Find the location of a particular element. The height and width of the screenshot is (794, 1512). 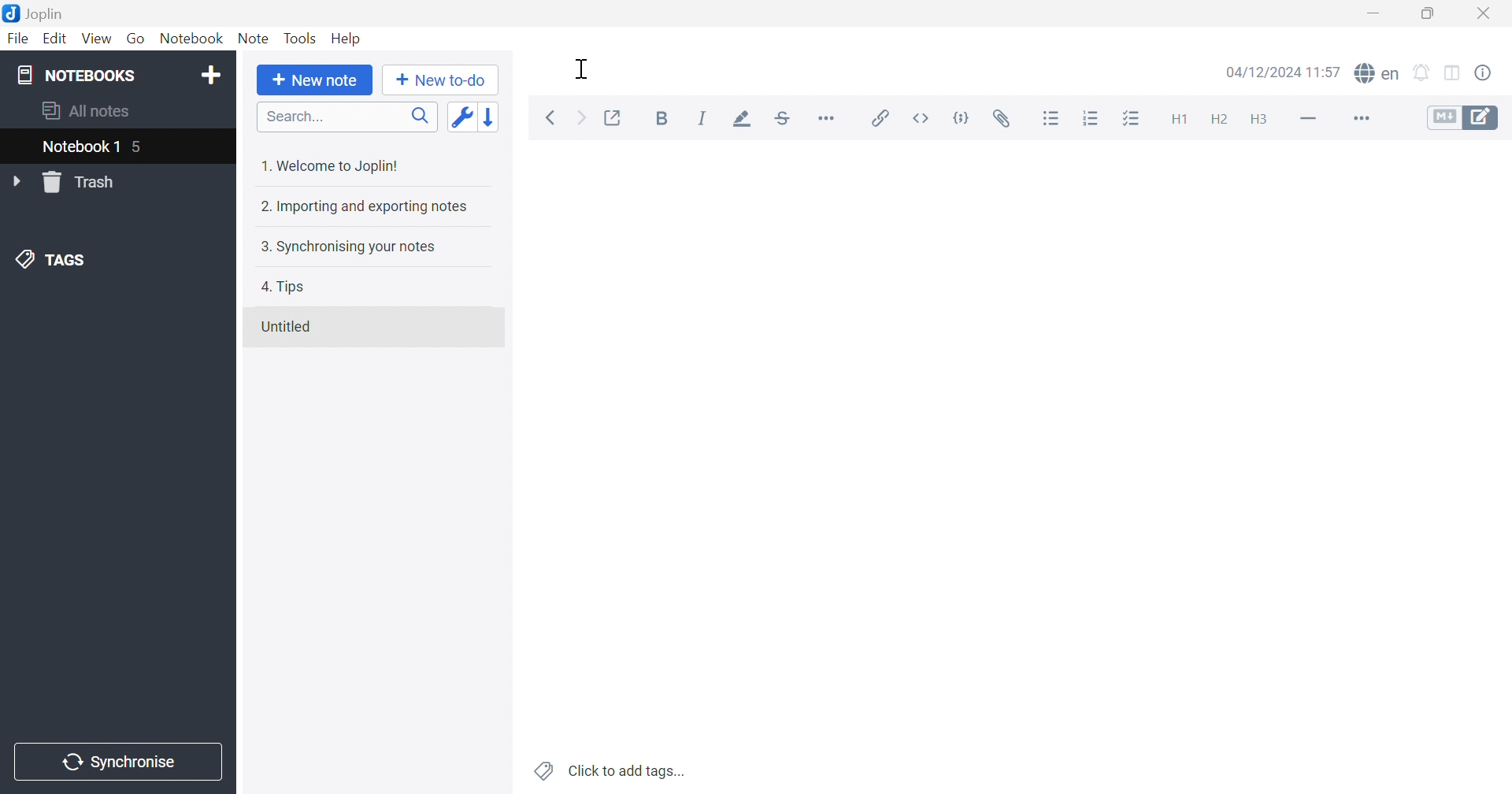

Restore Down is located at coordinates (1429, 14).